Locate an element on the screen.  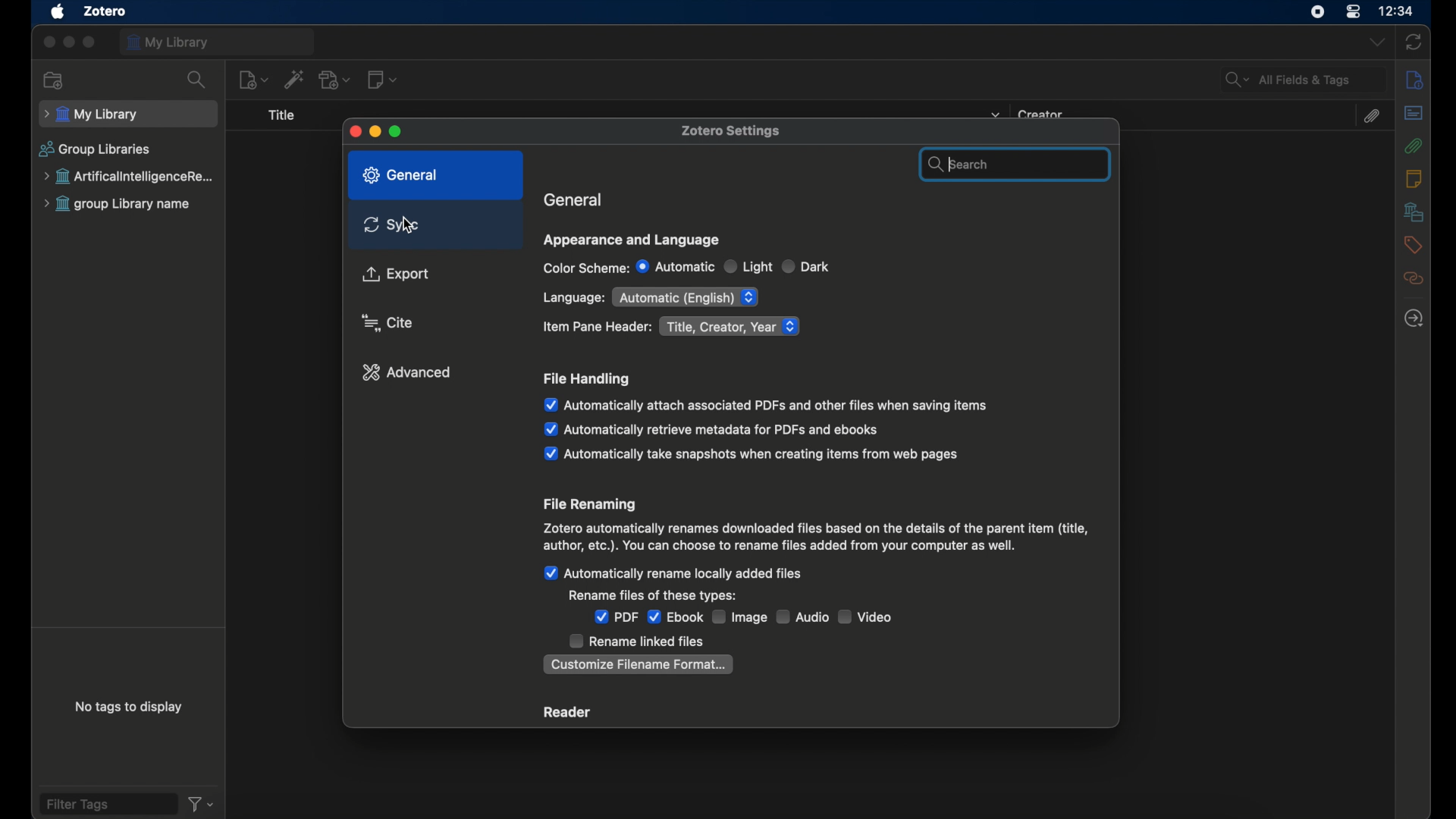
attachments is located at coordinates (1373, 116).